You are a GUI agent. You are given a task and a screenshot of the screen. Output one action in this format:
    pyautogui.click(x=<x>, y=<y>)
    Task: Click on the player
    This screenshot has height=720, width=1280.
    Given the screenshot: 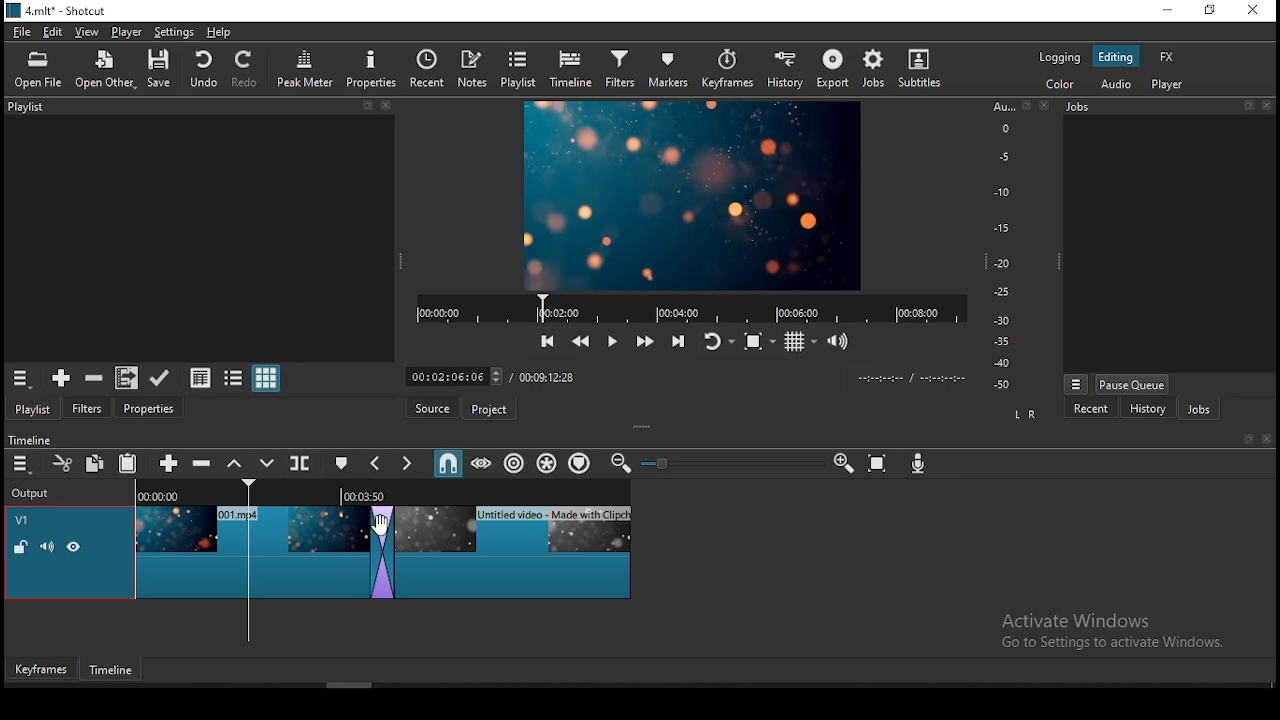 What is the action you would take?
    pyautogui.click(x=1167, y=86)
    